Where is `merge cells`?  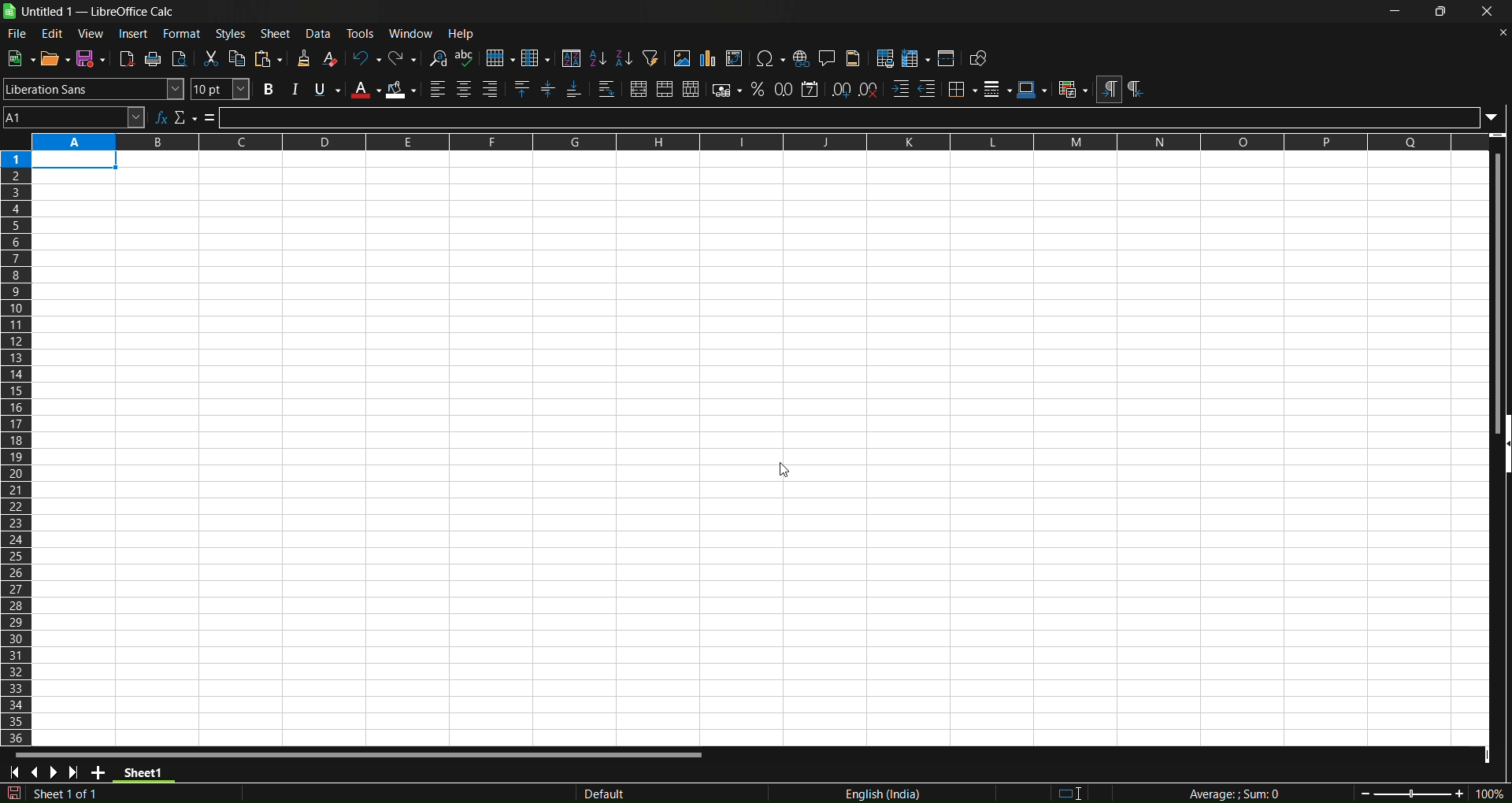
merge cells is located at coordinates (665, 90).